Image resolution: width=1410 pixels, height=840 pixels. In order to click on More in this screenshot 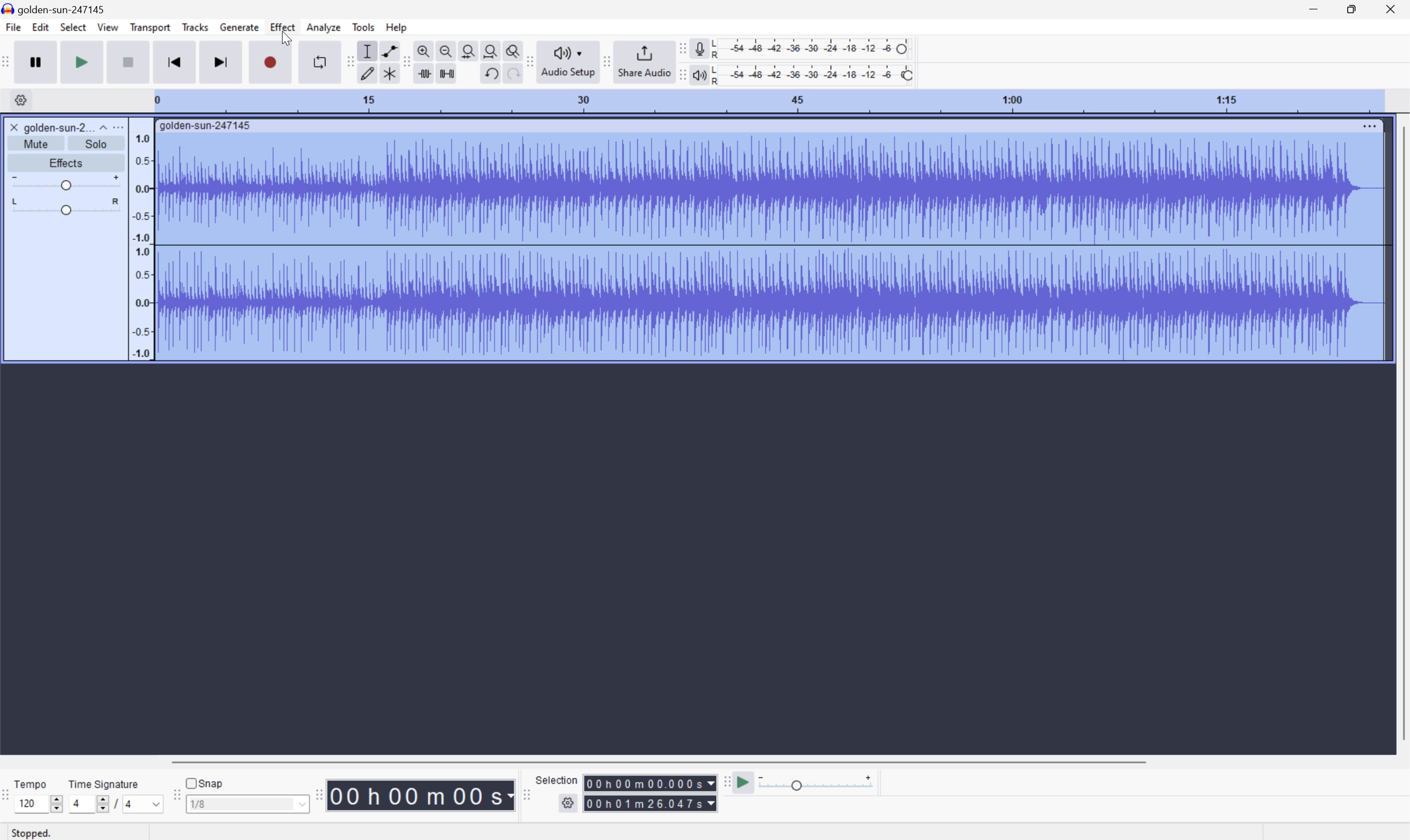, I will do `click(1368, 125)`.